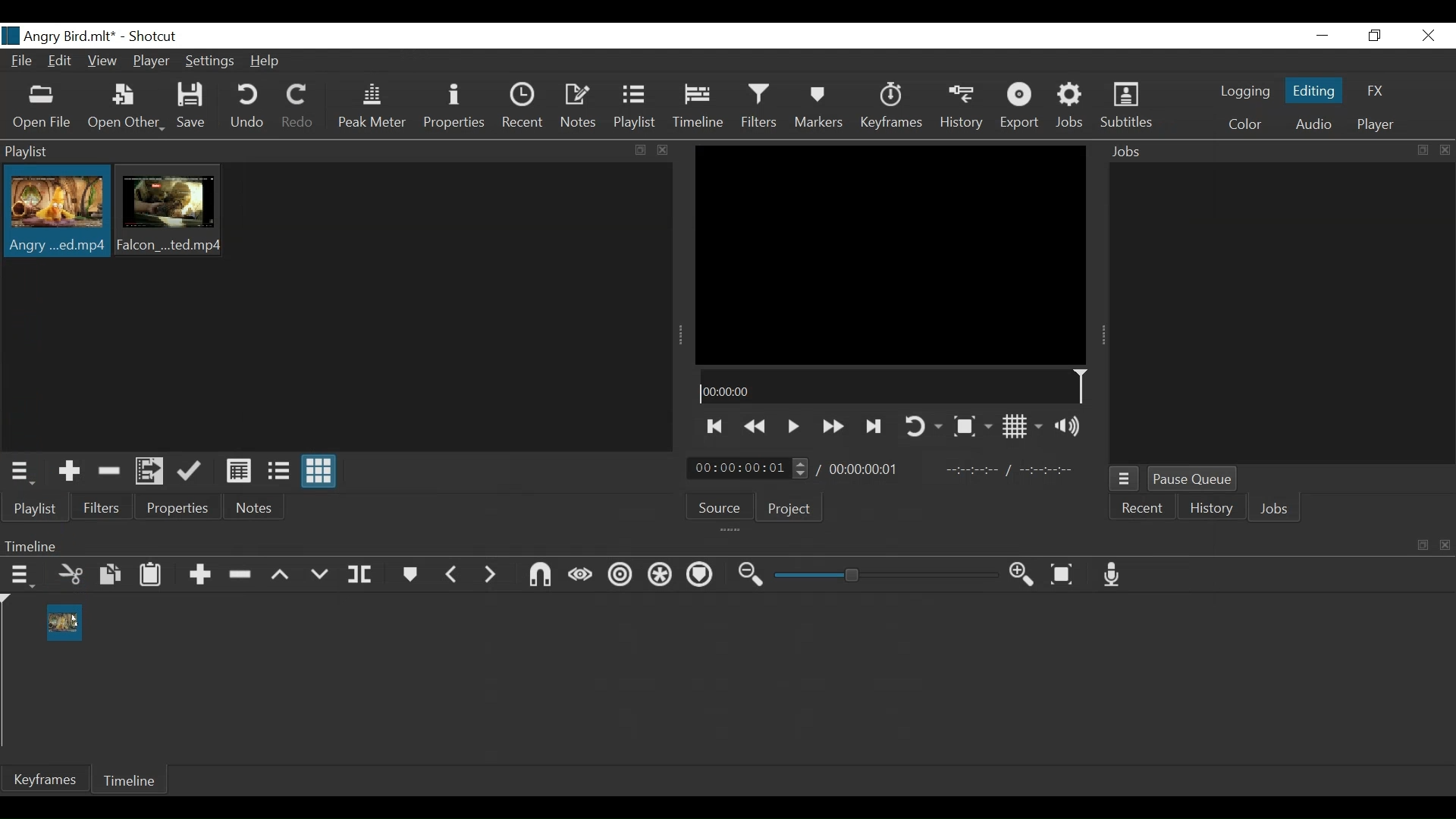  I want to click on View as files, so click(280, 469).